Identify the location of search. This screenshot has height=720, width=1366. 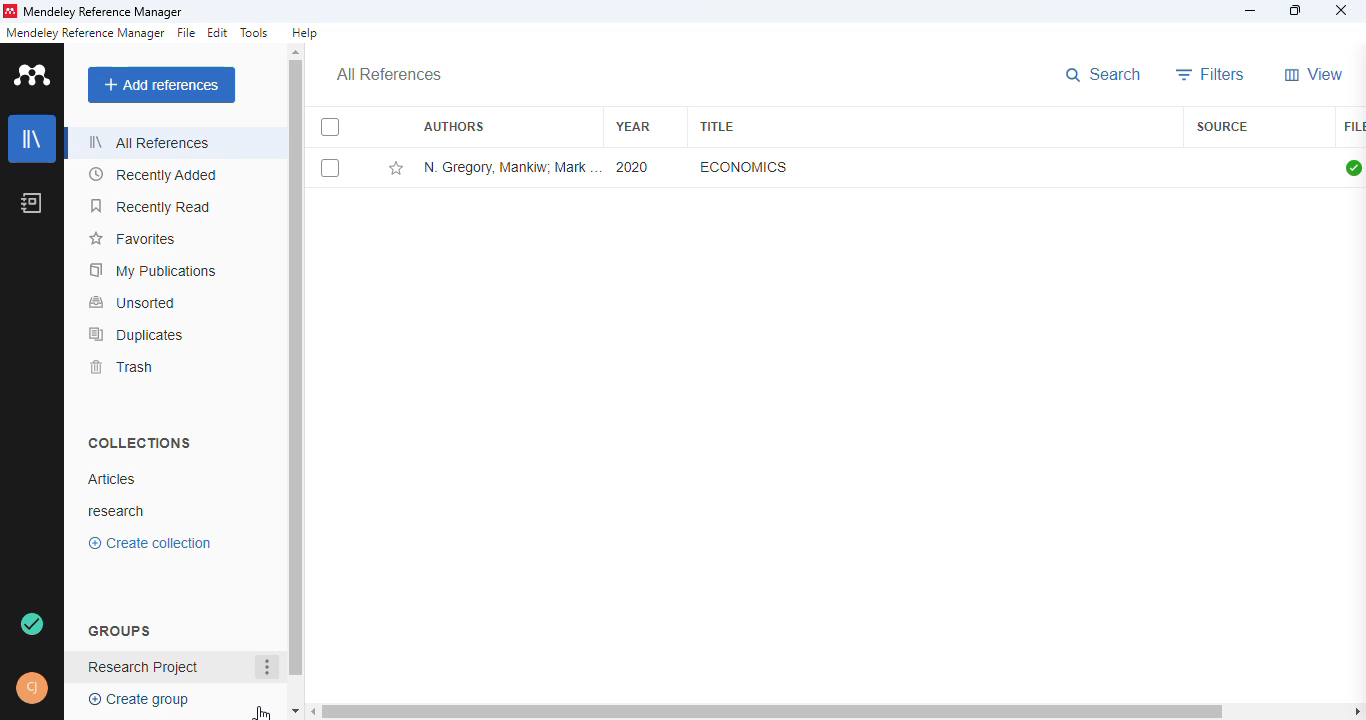
(1103, 75).